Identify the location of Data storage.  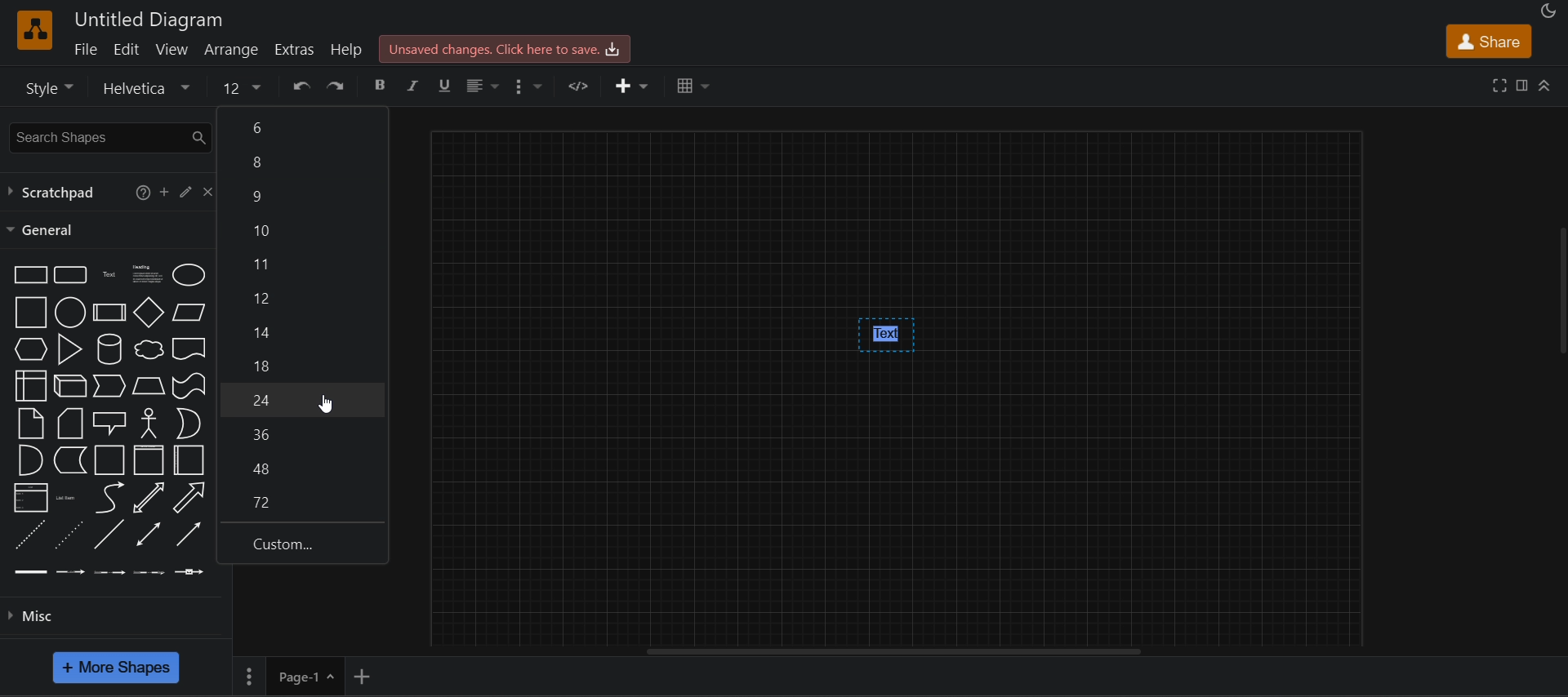
(70, 459).